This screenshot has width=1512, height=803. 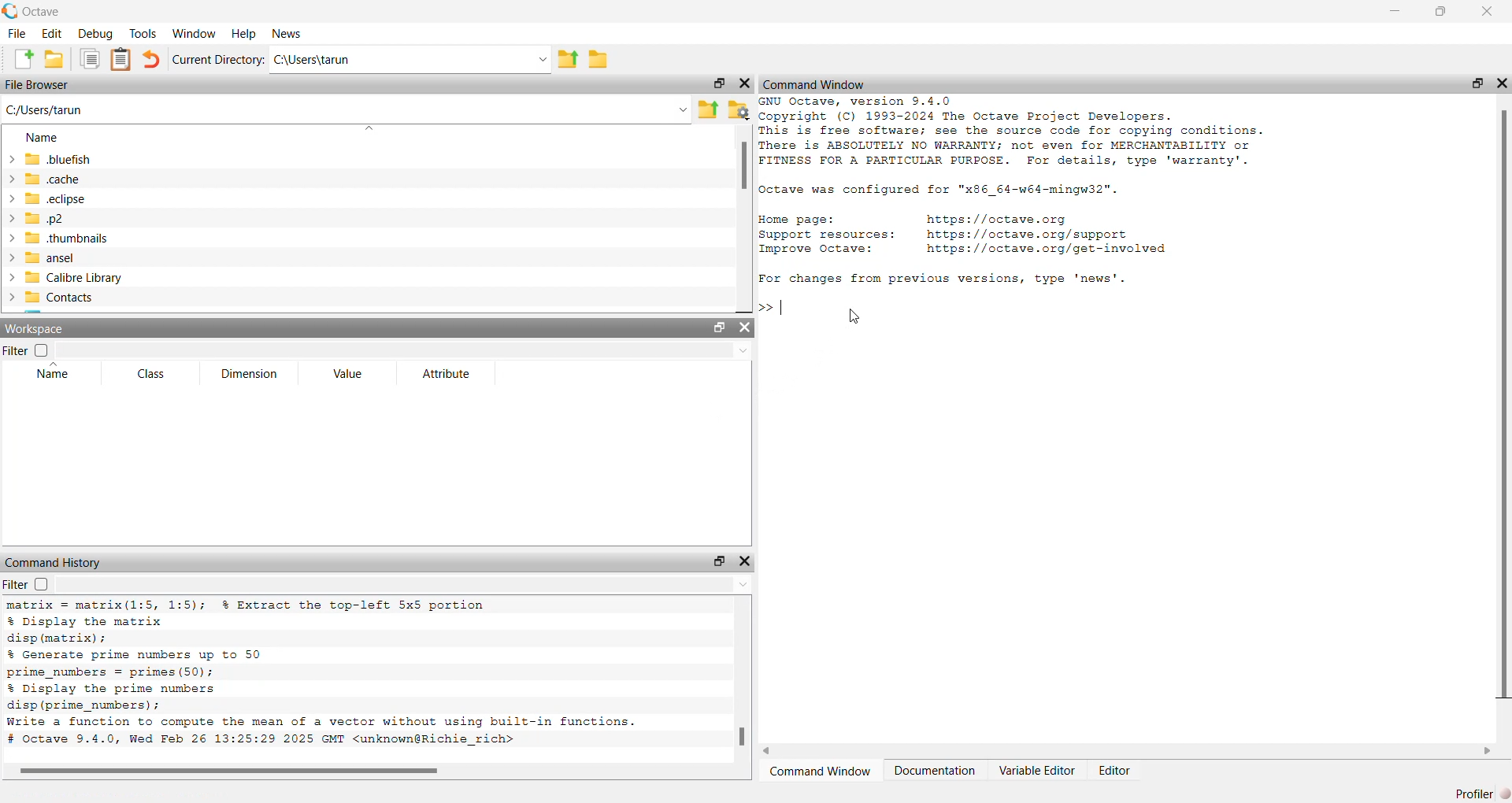 What do you see at coordinates (38, 86) in the screenshot?
I see `File Browser` at bounding box center [38, 86].